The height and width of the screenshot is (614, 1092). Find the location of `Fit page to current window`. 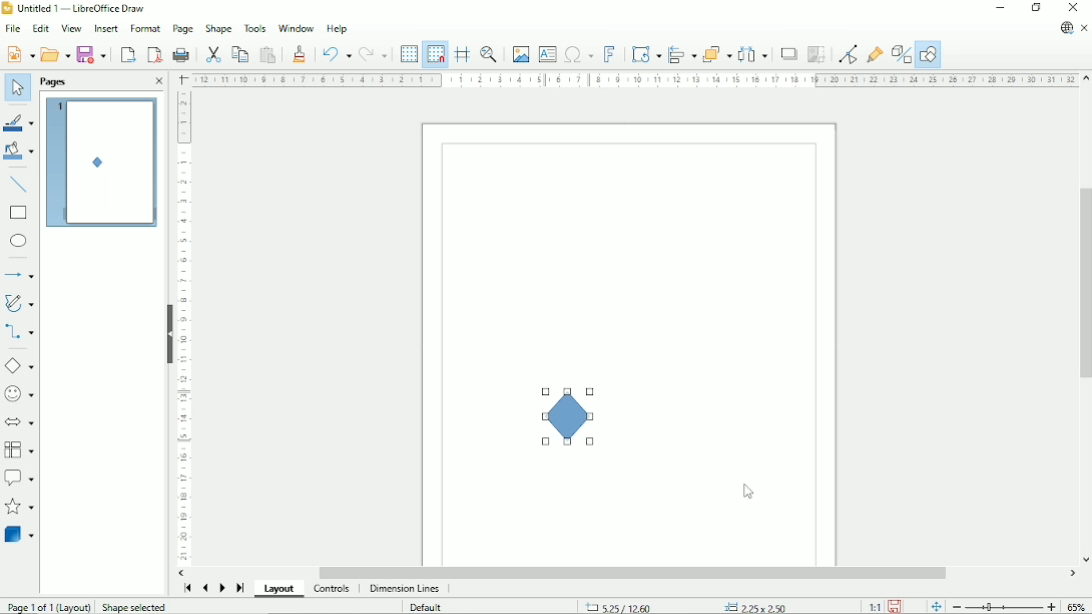

Fit page to current window is located at coordinates (936, 606).